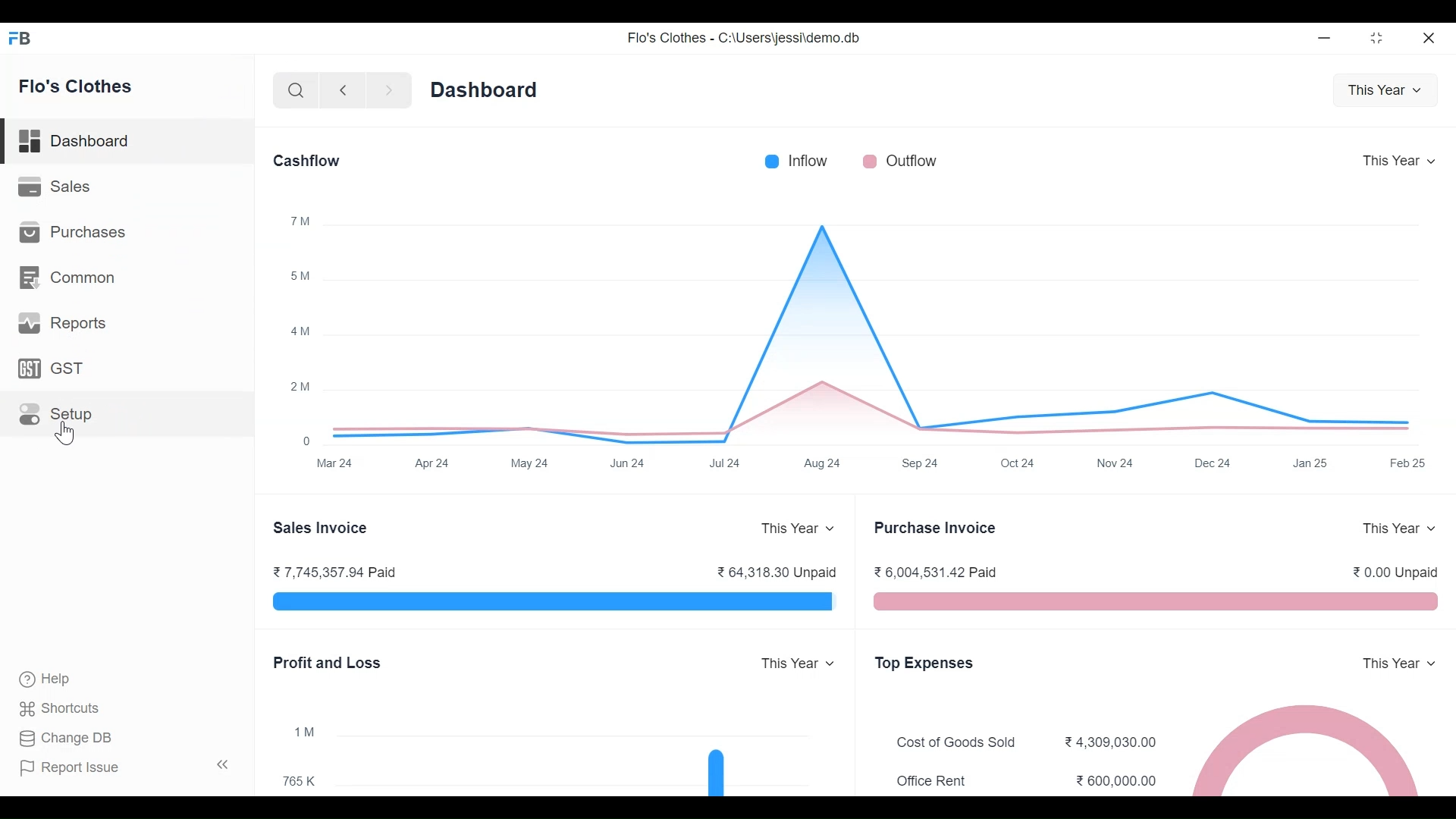 Image resolution: width=1456 pixels, height=819 pixels. I want to click on Cost of Goods Sold, so click(956, 742).